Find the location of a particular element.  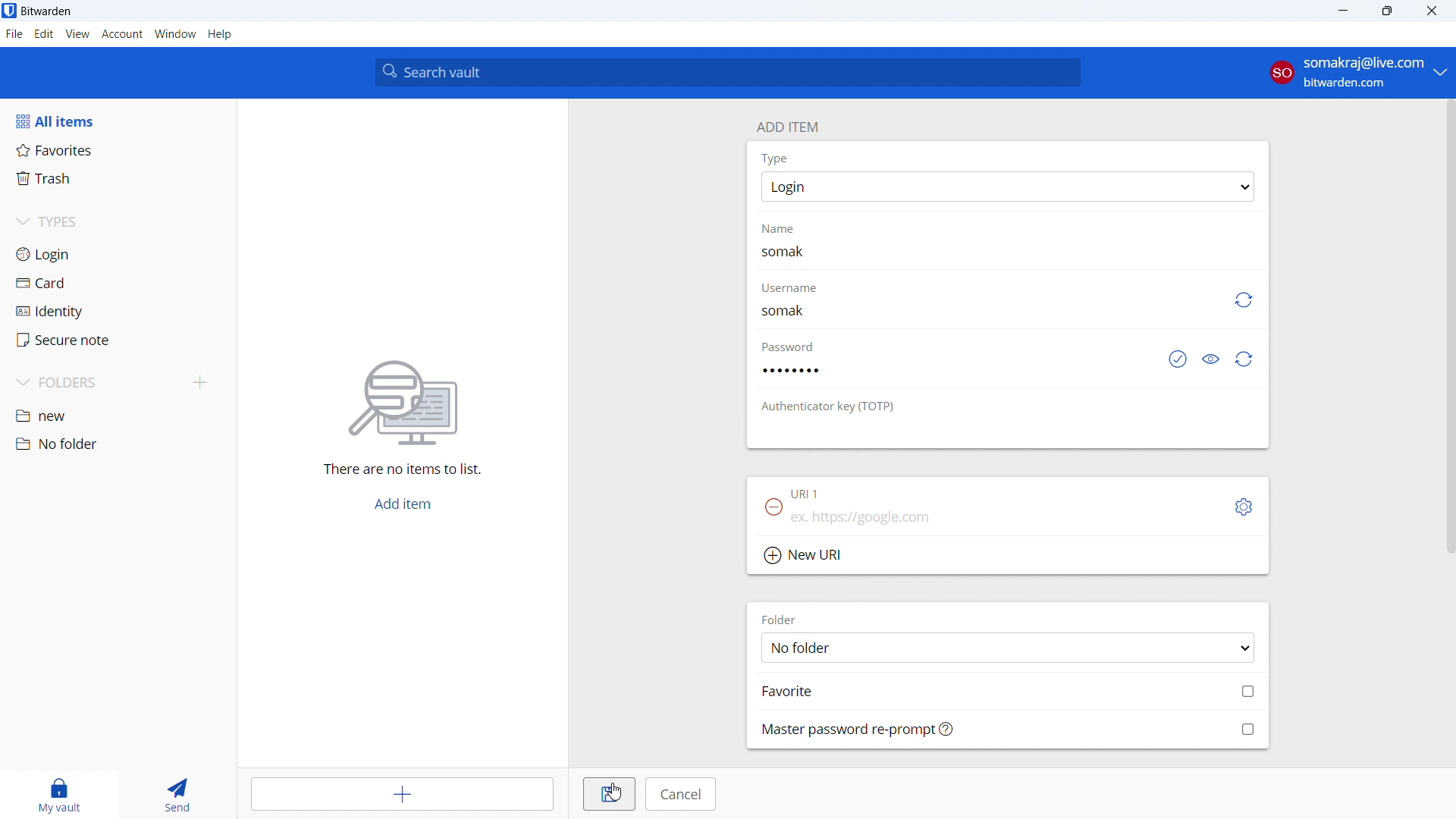

card is located at coordinates (118, 284).